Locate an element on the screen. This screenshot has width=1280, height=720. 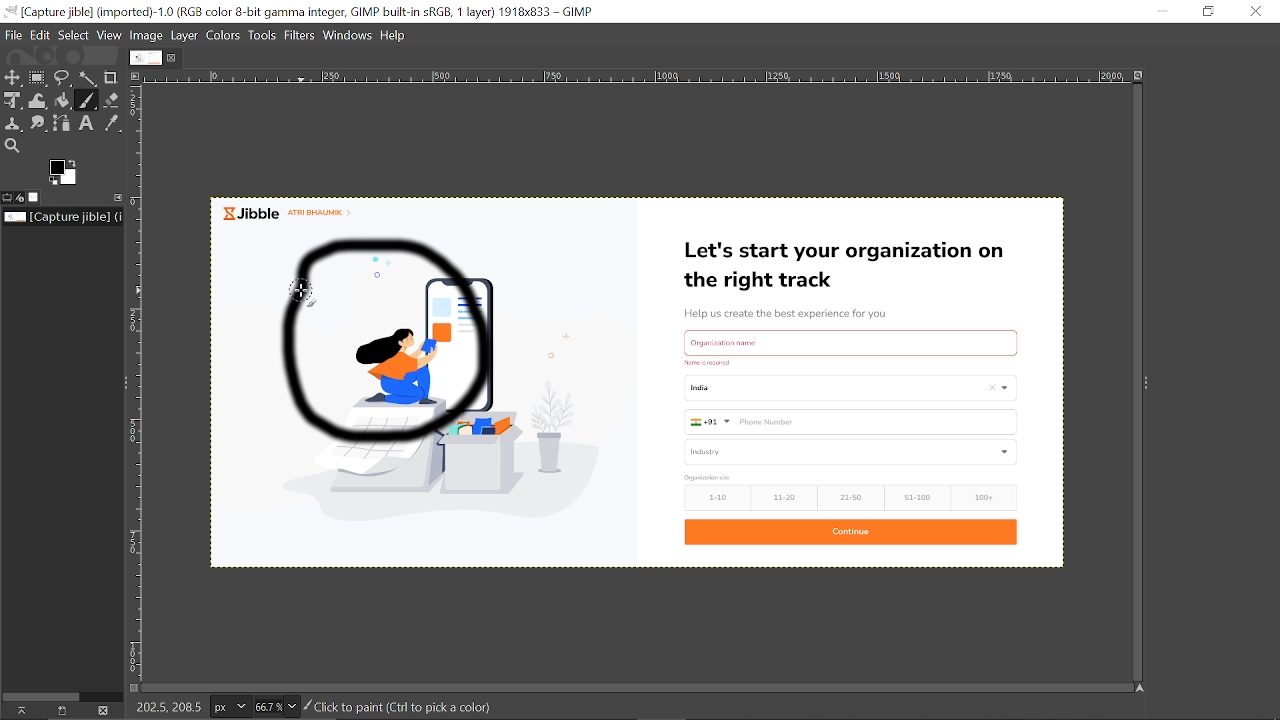
Scale is located at coordinates (138, 388).